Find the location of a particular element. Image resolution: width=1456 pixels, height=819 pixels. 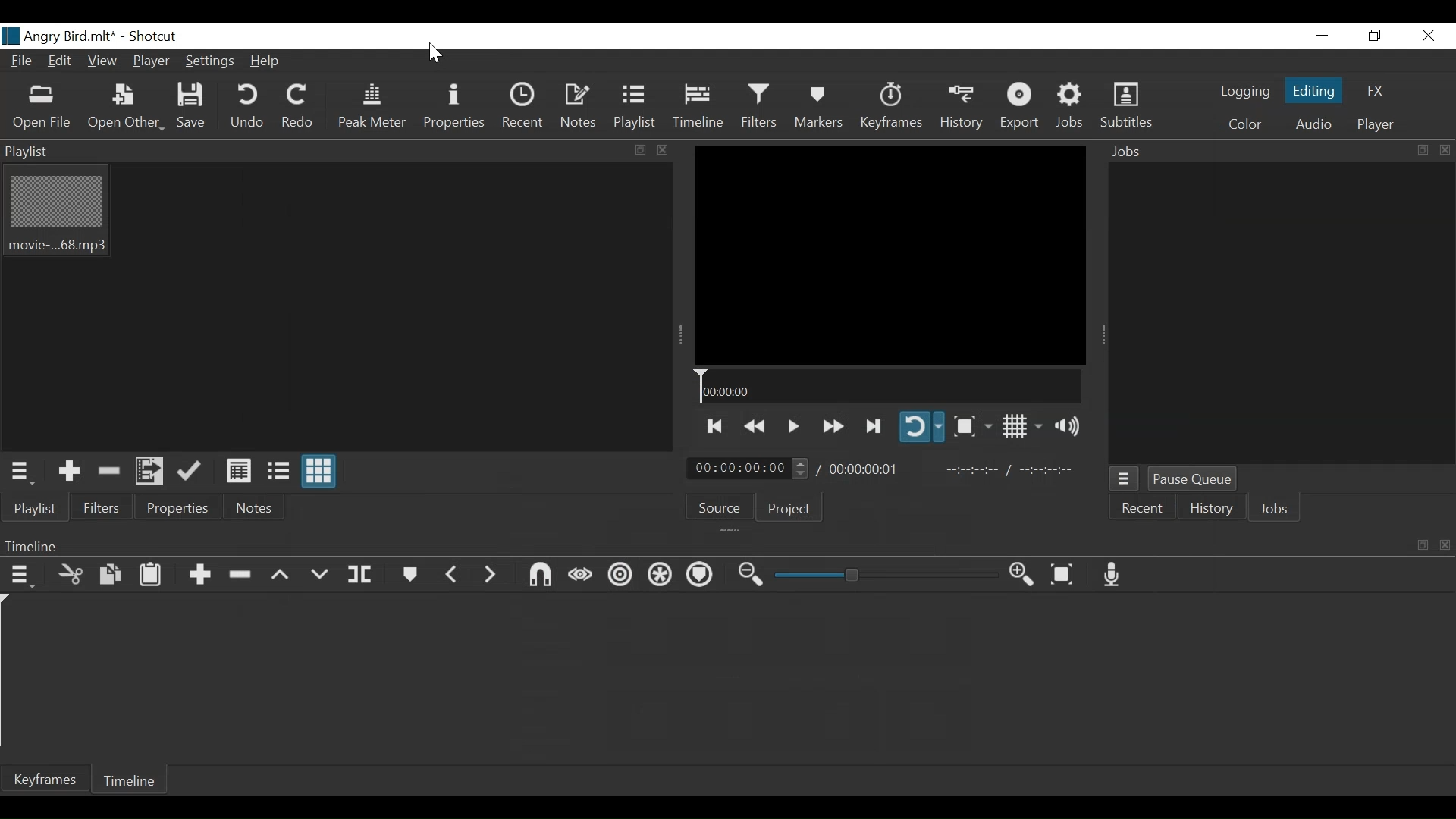

Color is located at coordinates (1244, 125).